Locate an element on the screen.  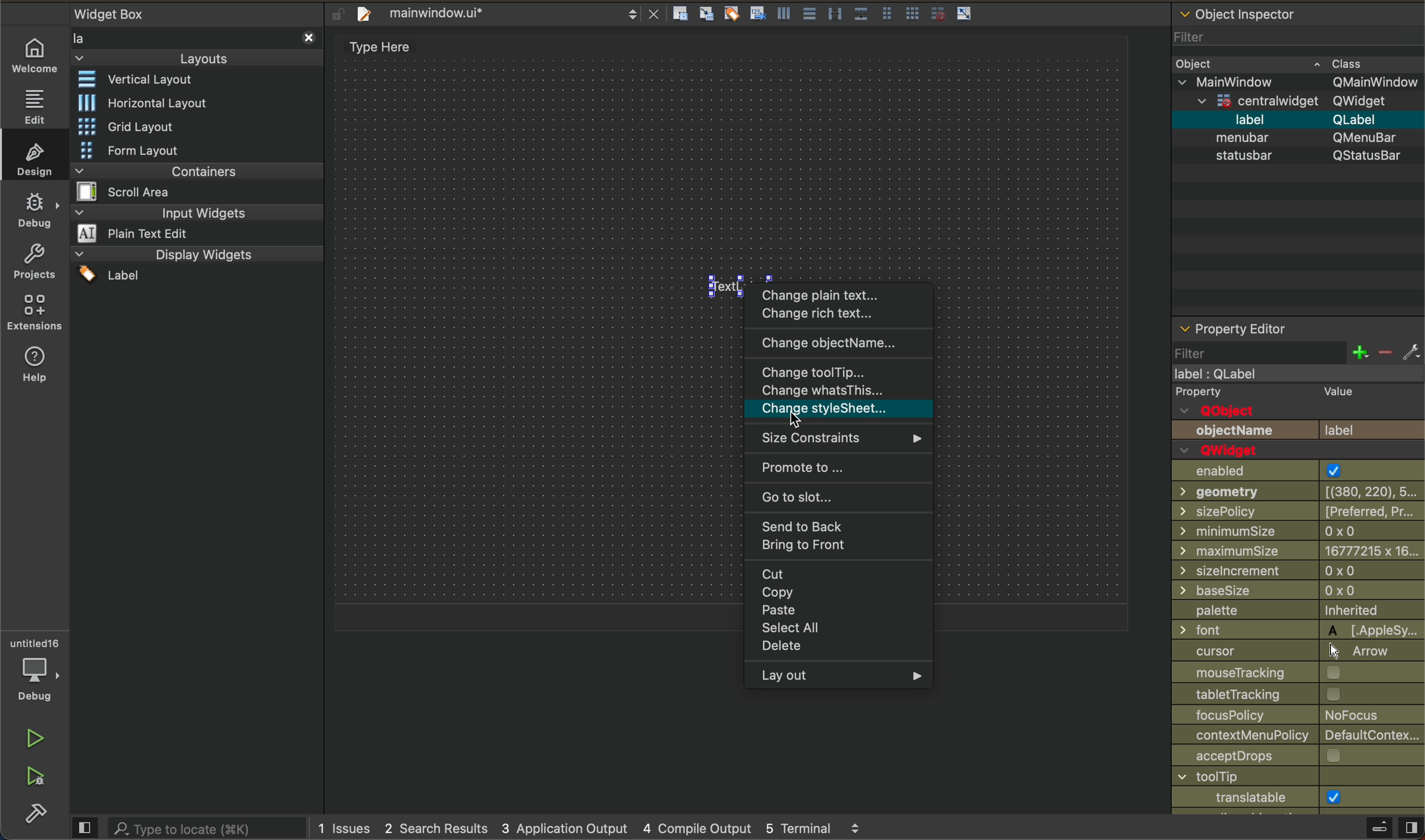
edit is located at coordinates (34, 105).